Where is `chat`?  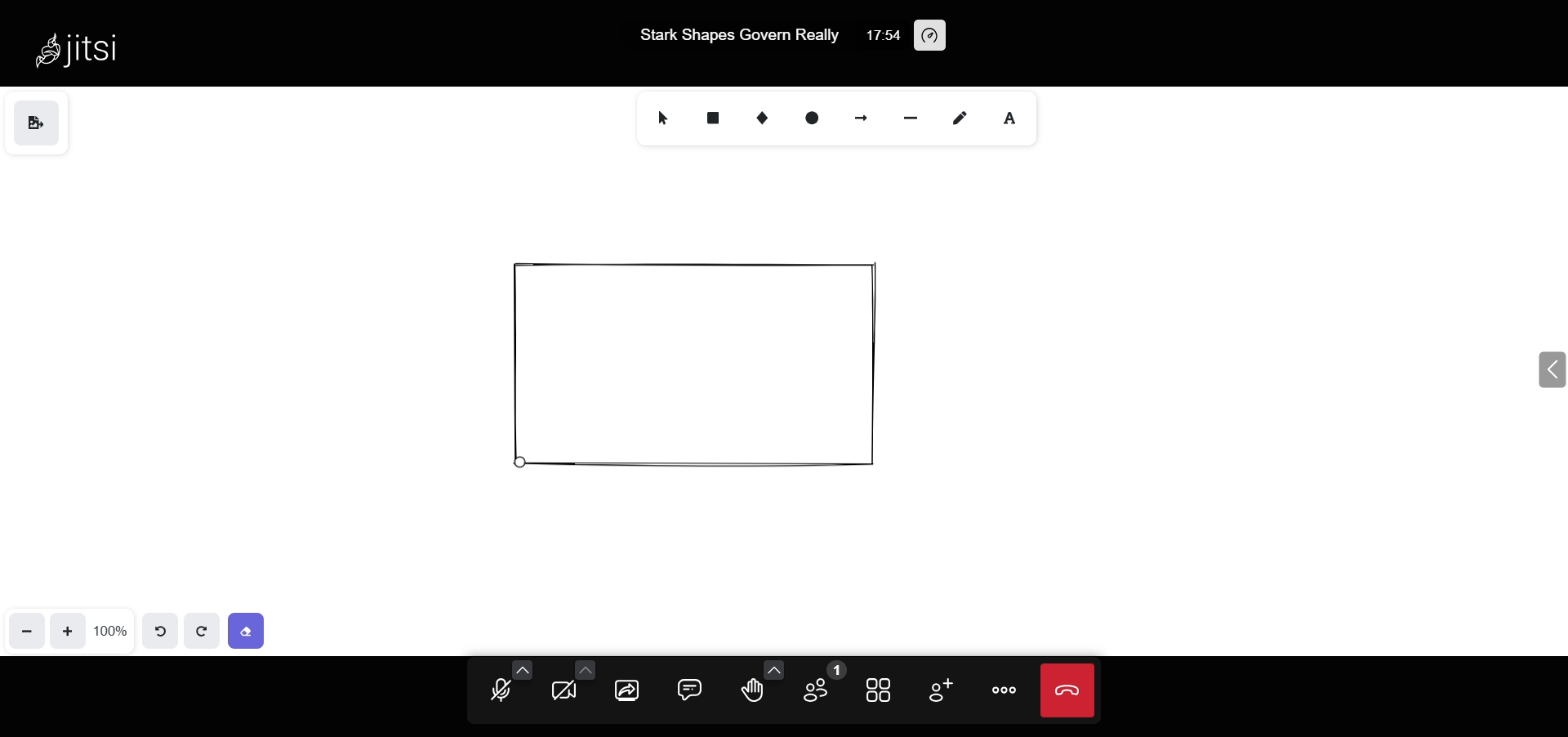 chat is located at coordinates (684, 690).